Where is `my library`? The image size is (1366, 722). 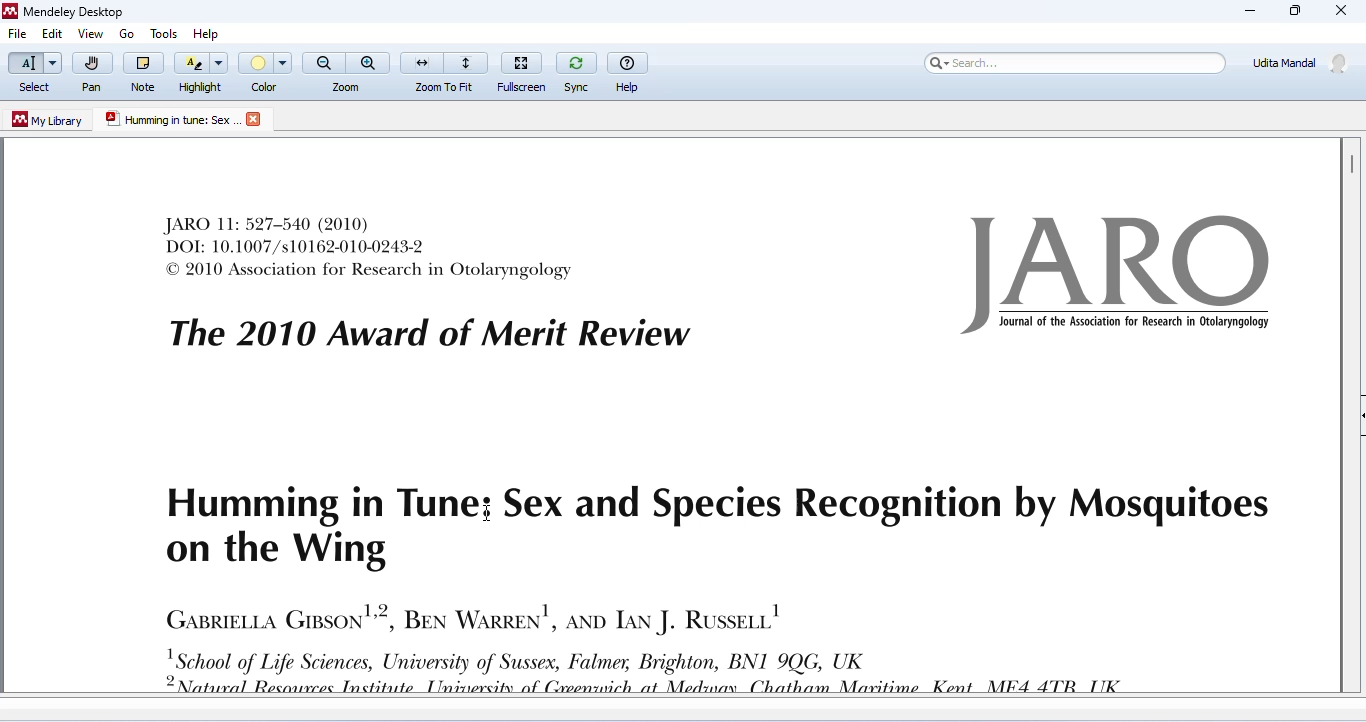
my library is located at coordinates (49, 120).